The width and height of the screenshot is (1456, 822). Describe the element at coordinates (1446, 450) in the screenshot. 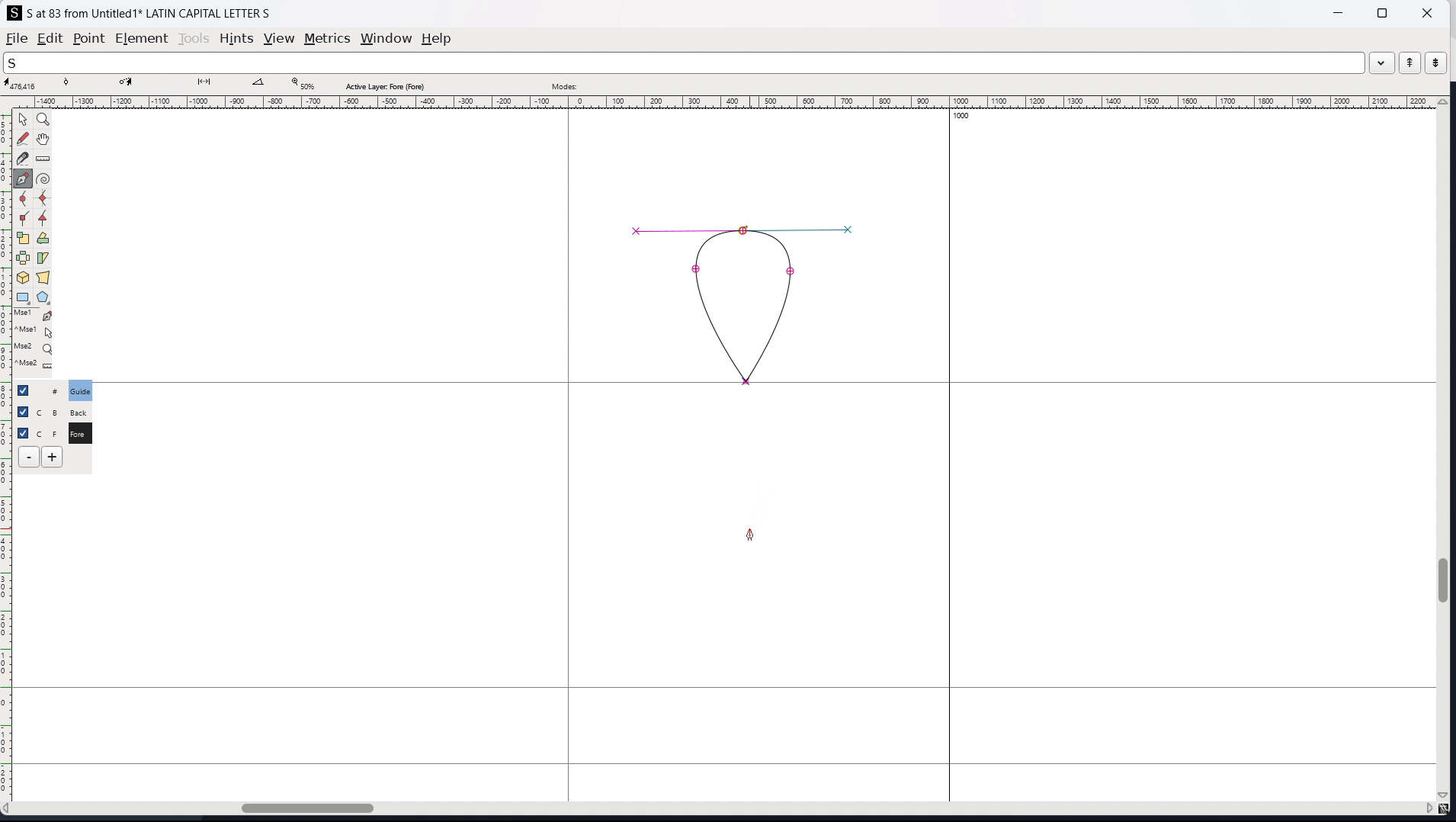

I see `vertical scrollbar` at that location.